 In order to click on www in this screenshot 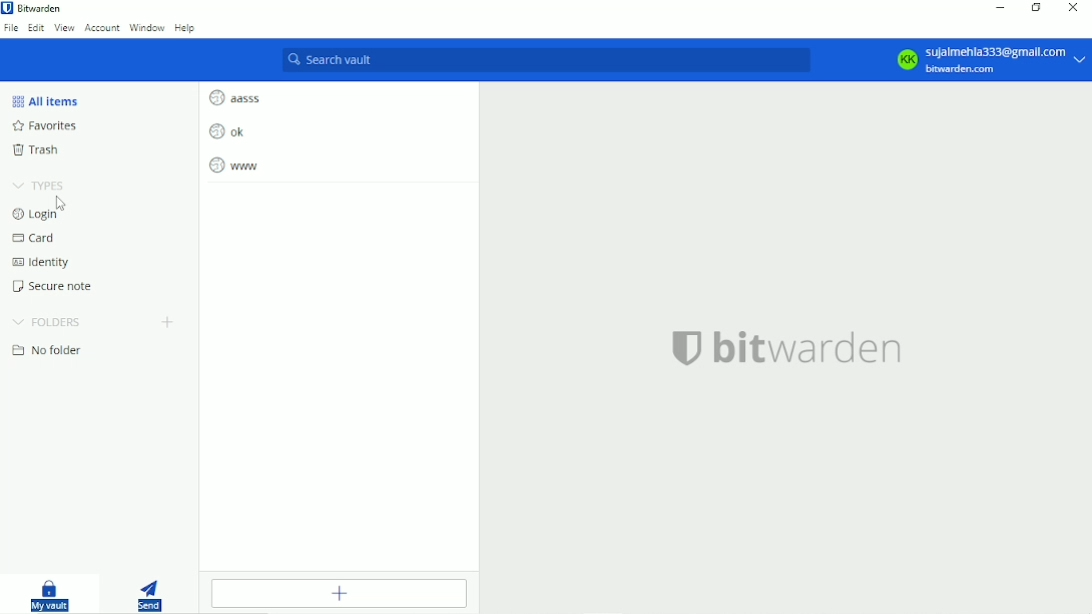, I will do `click(235, 165)`.